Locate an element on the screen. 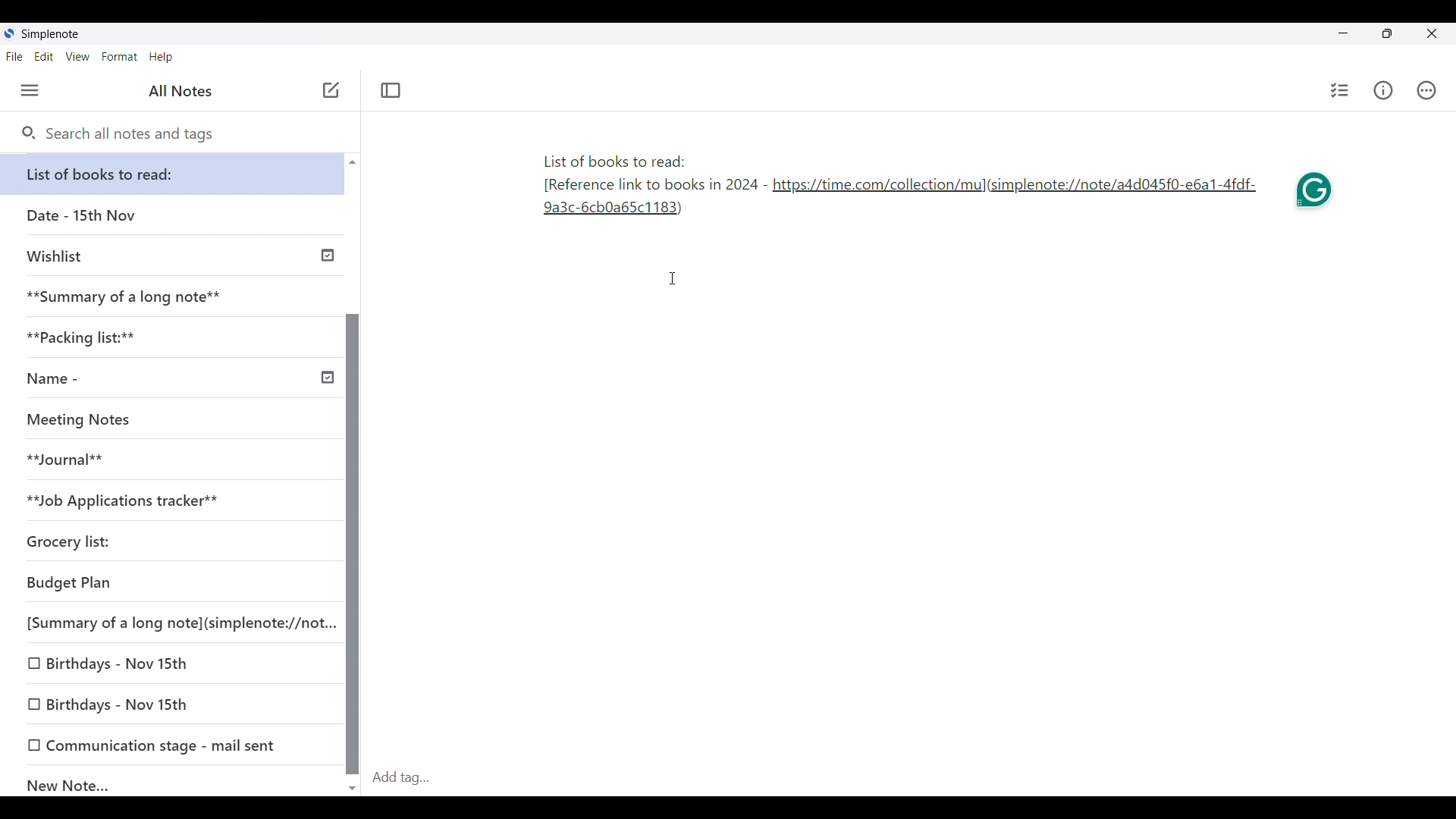  Close is located at coordinates (1432, 34).